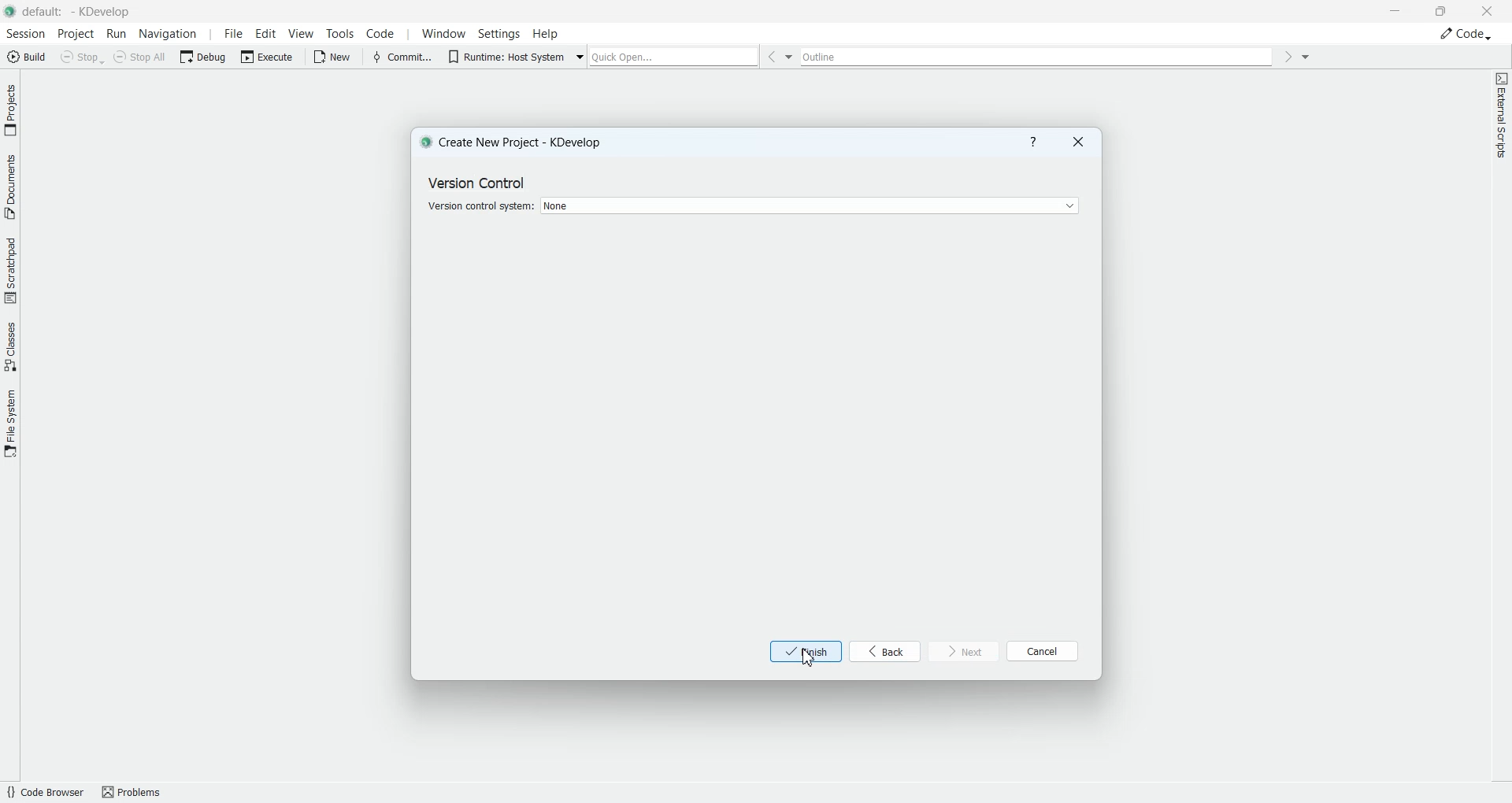 The image size is (1512, 803). What do you see at coordinates (335, 57) in the screenshot?
I see `New` at bounding box center [335, 57].